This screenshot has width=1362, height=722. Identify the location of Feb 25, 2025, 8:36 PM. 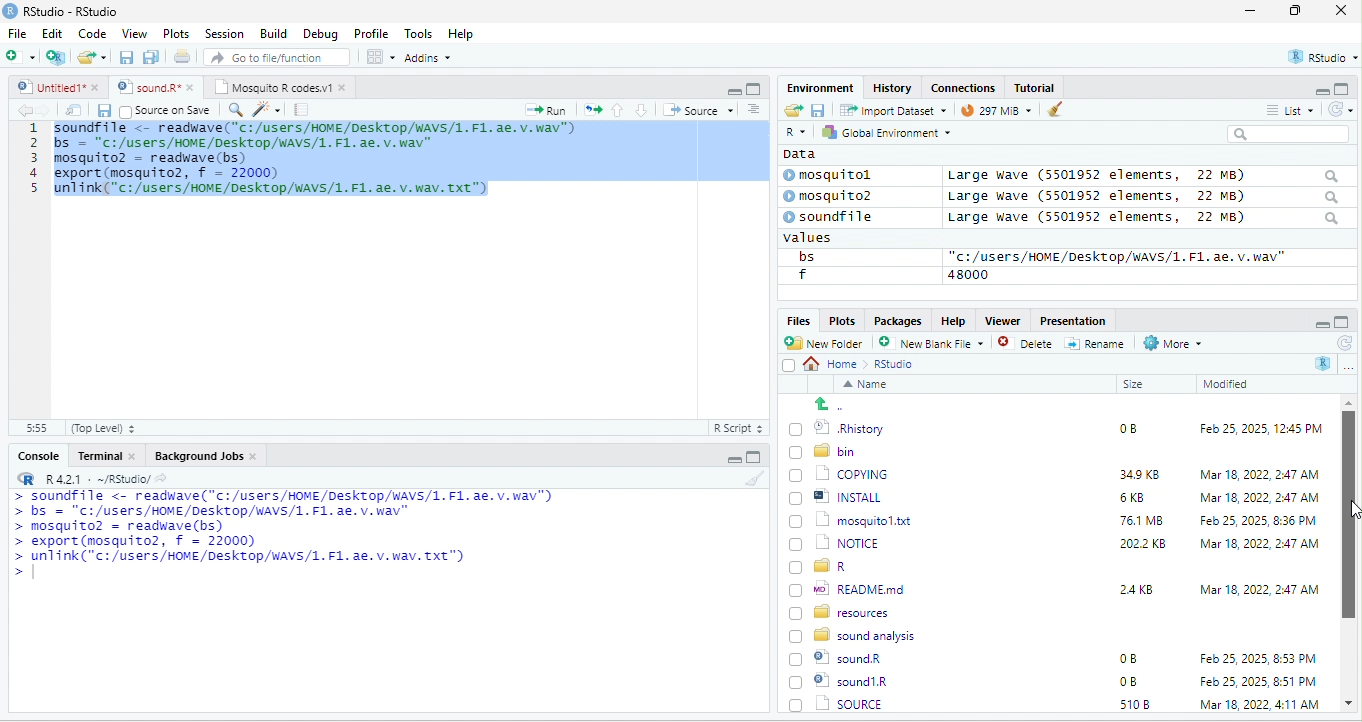
(1254, 520).